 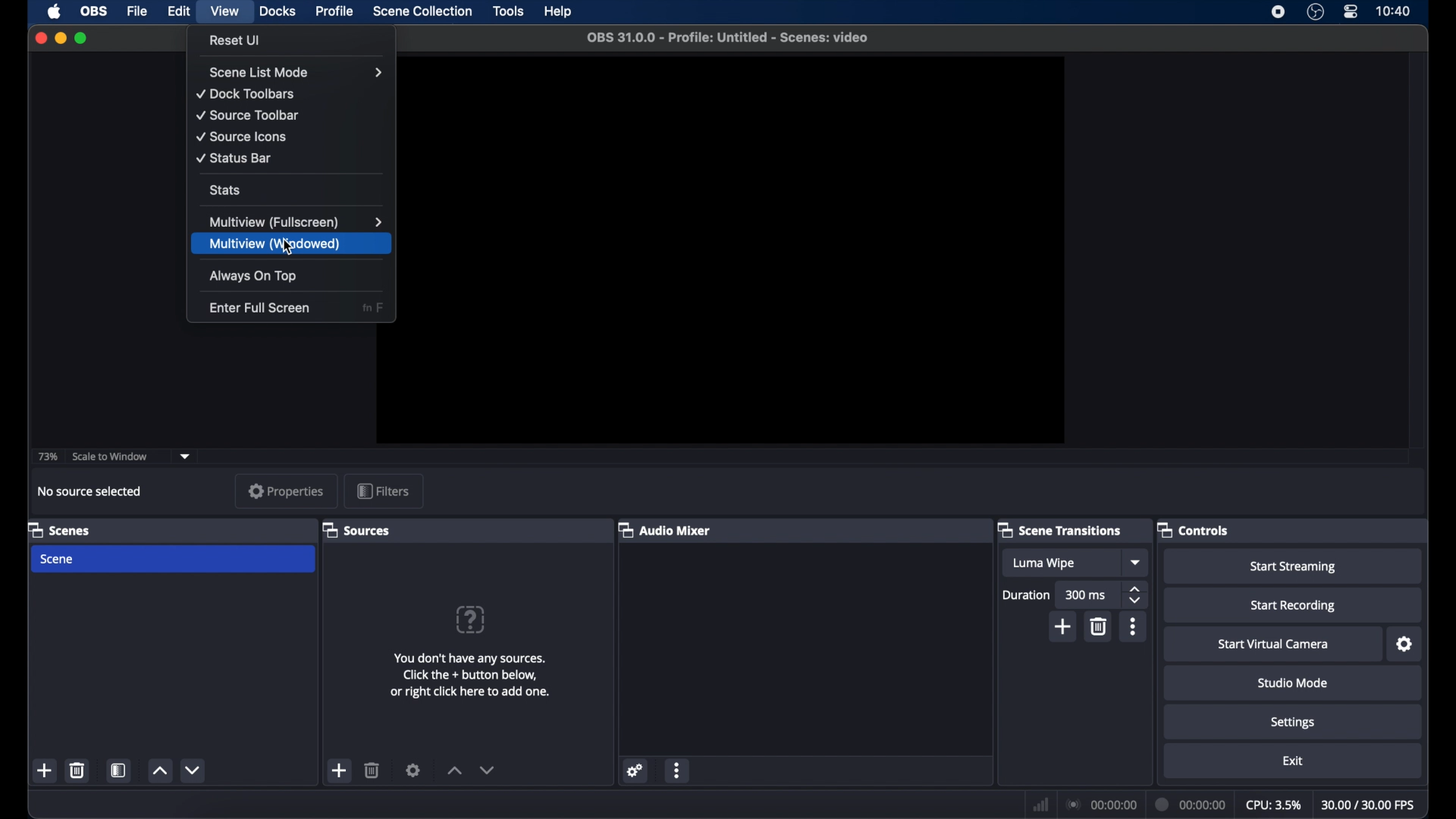 What do you see at coordinates (1133, 626) in the screenshot?
I see `more options` at bounding box center [1133, 626].